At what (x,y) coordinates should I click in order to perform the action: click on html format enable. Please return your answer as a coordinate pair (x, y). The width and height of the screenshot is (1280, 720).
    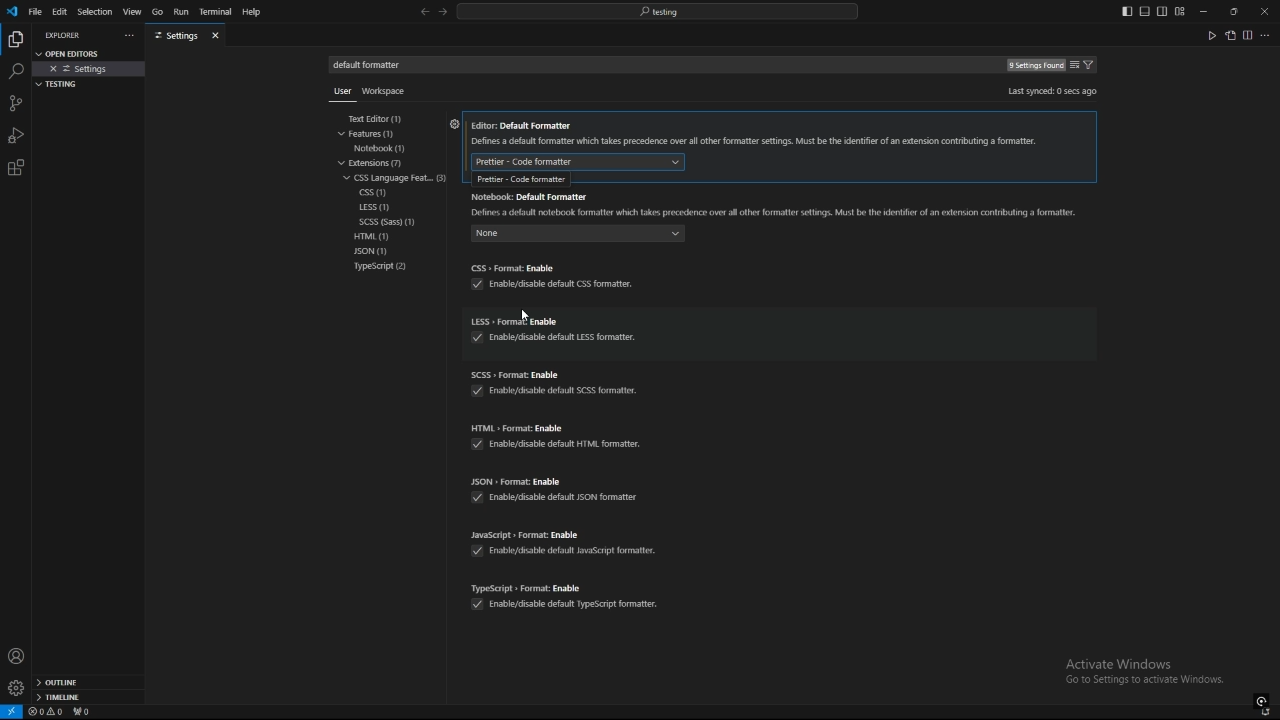
    Looking at the image, I should click on (559, 427).